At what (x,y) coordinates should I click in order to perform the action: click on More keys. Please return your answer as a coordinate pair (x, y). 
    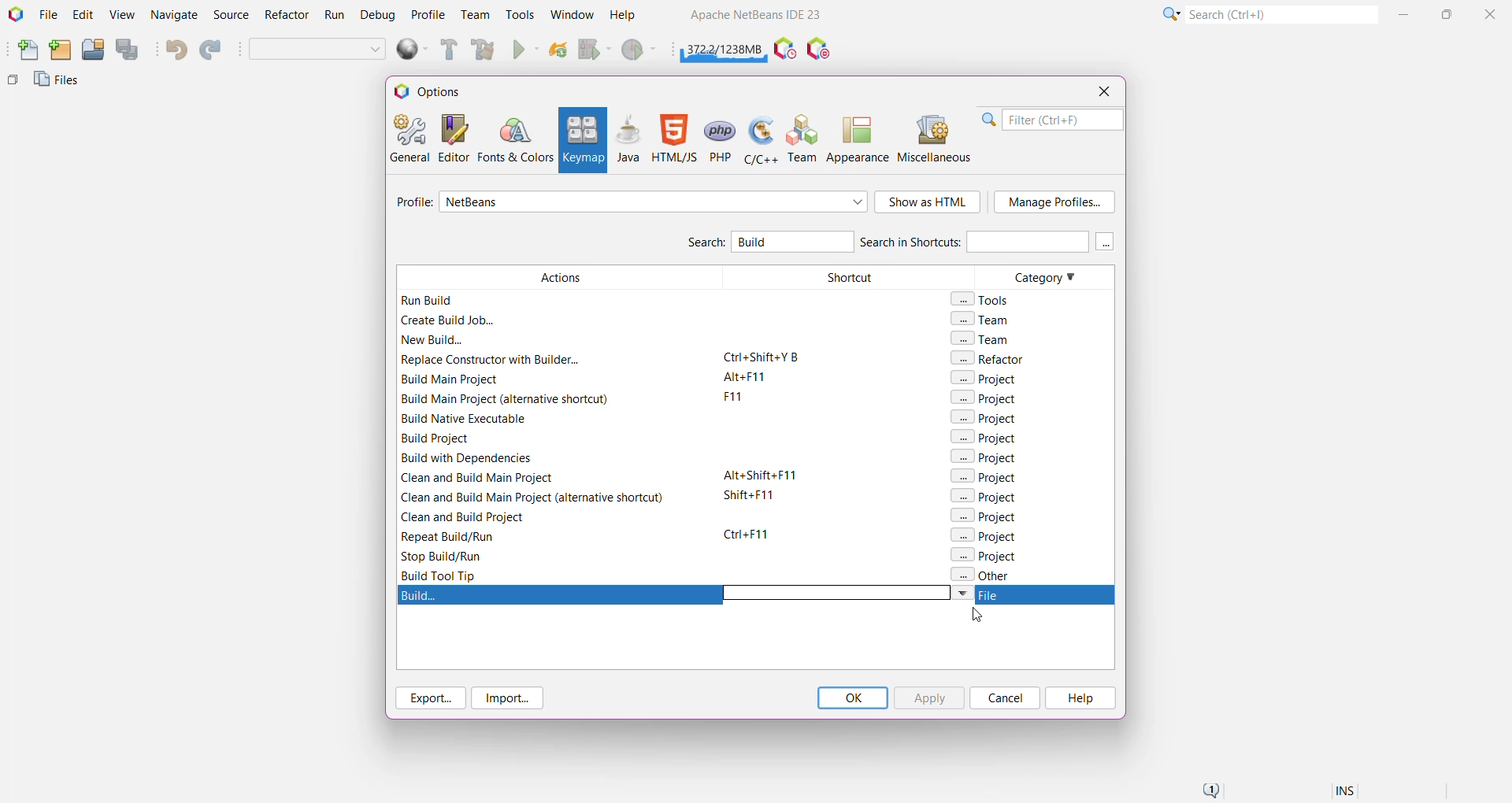
    Looking at the image, I should click on (1106, 242).